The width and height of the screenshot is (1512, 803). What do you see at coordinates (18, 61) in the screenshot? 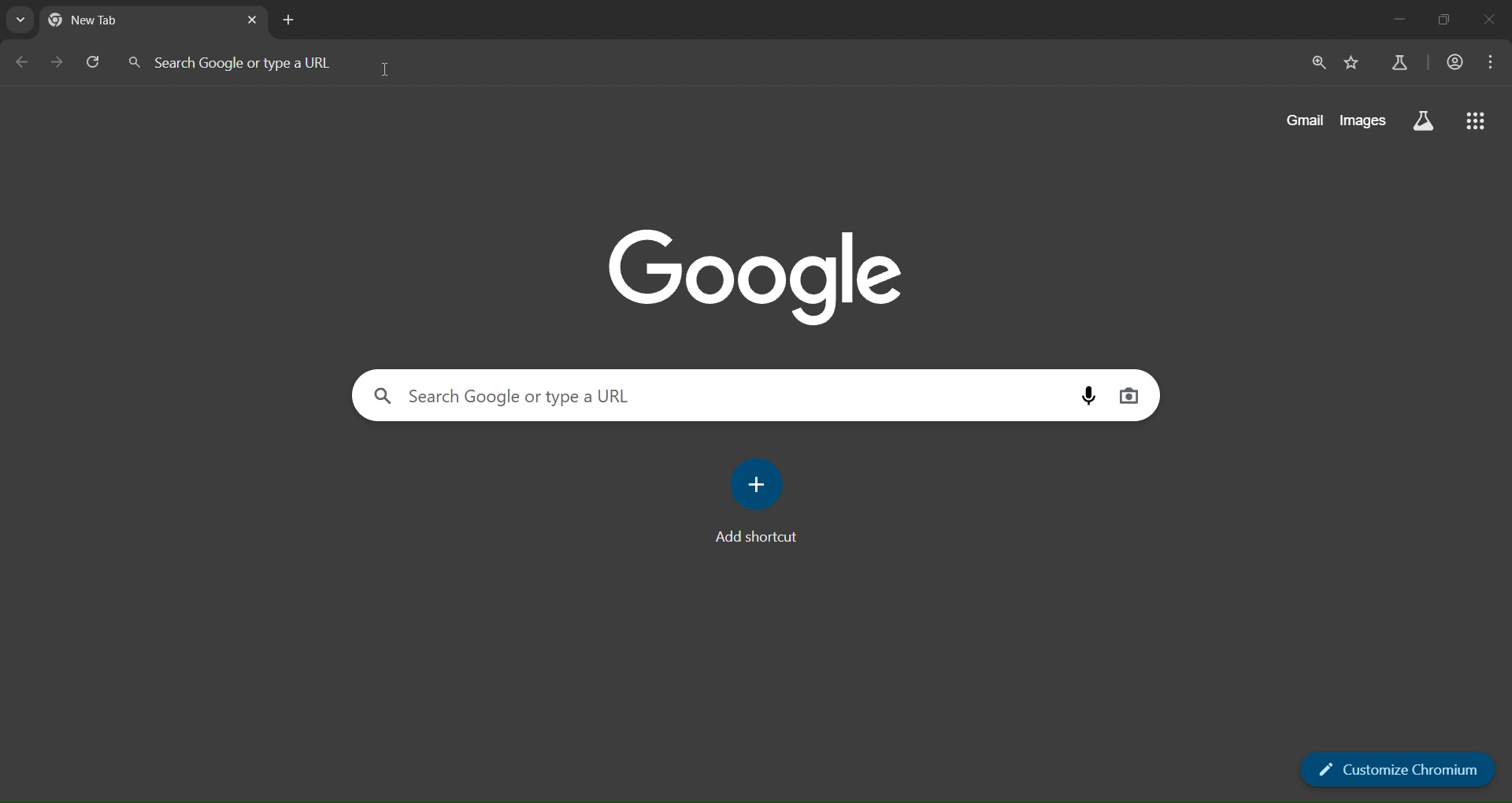
I see `previous page` at bounding box center [18, 61].